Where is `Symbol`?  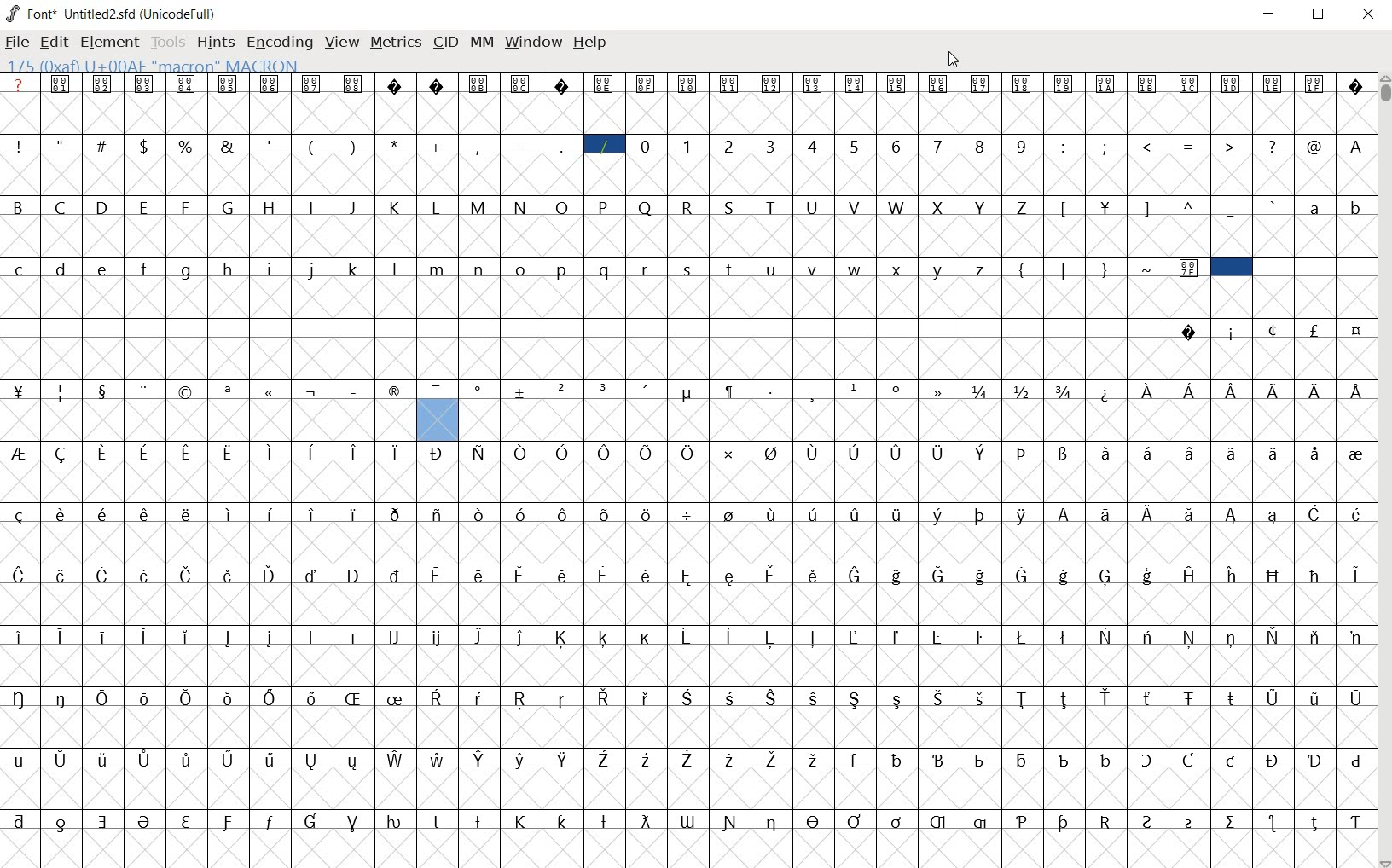 Symbol is located at coordinates (605, 389).